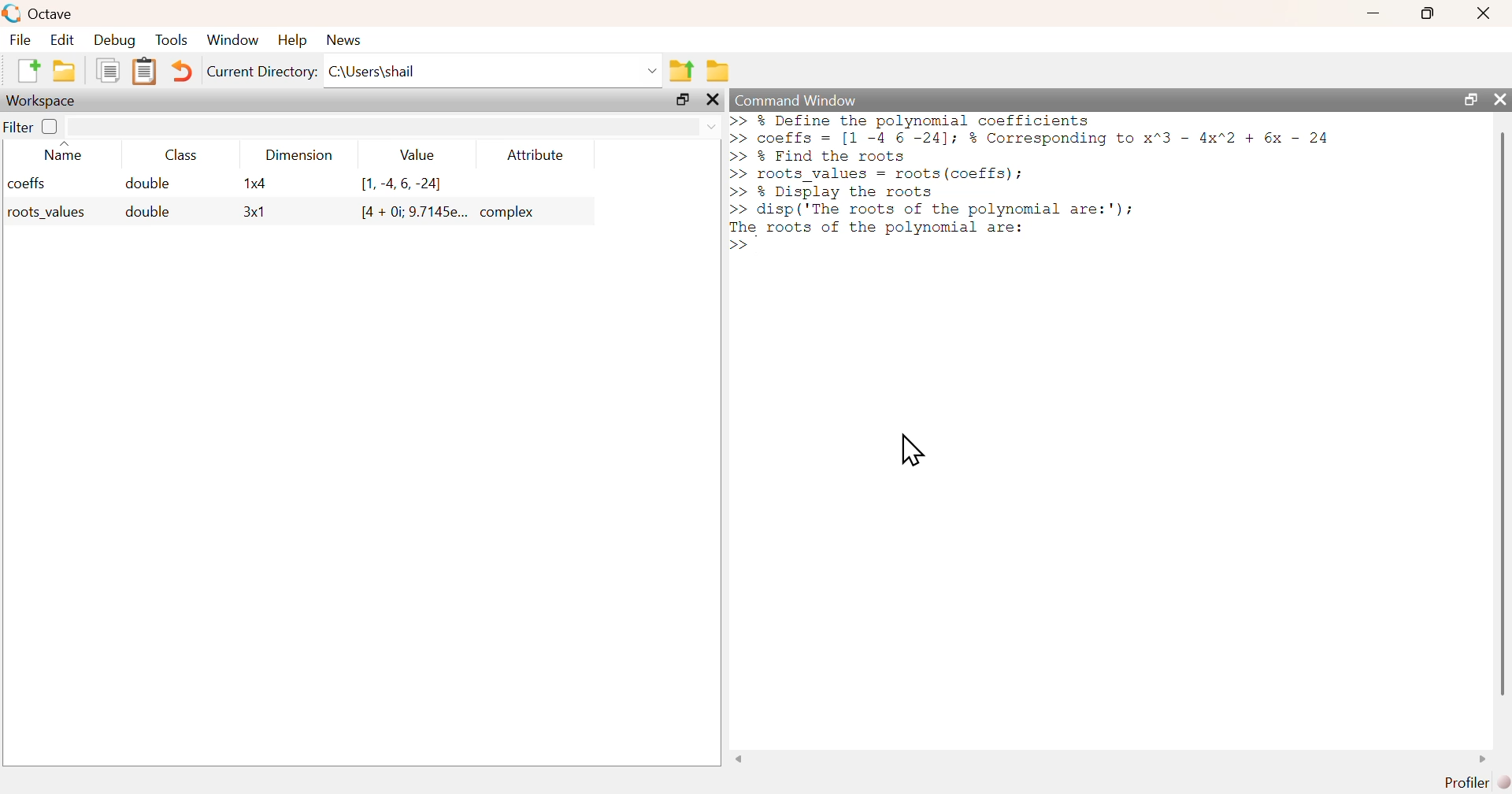  What do you see at coordinates (254, 213) in the screenshot?
I see `3x1` at bounding box center [254, 213].